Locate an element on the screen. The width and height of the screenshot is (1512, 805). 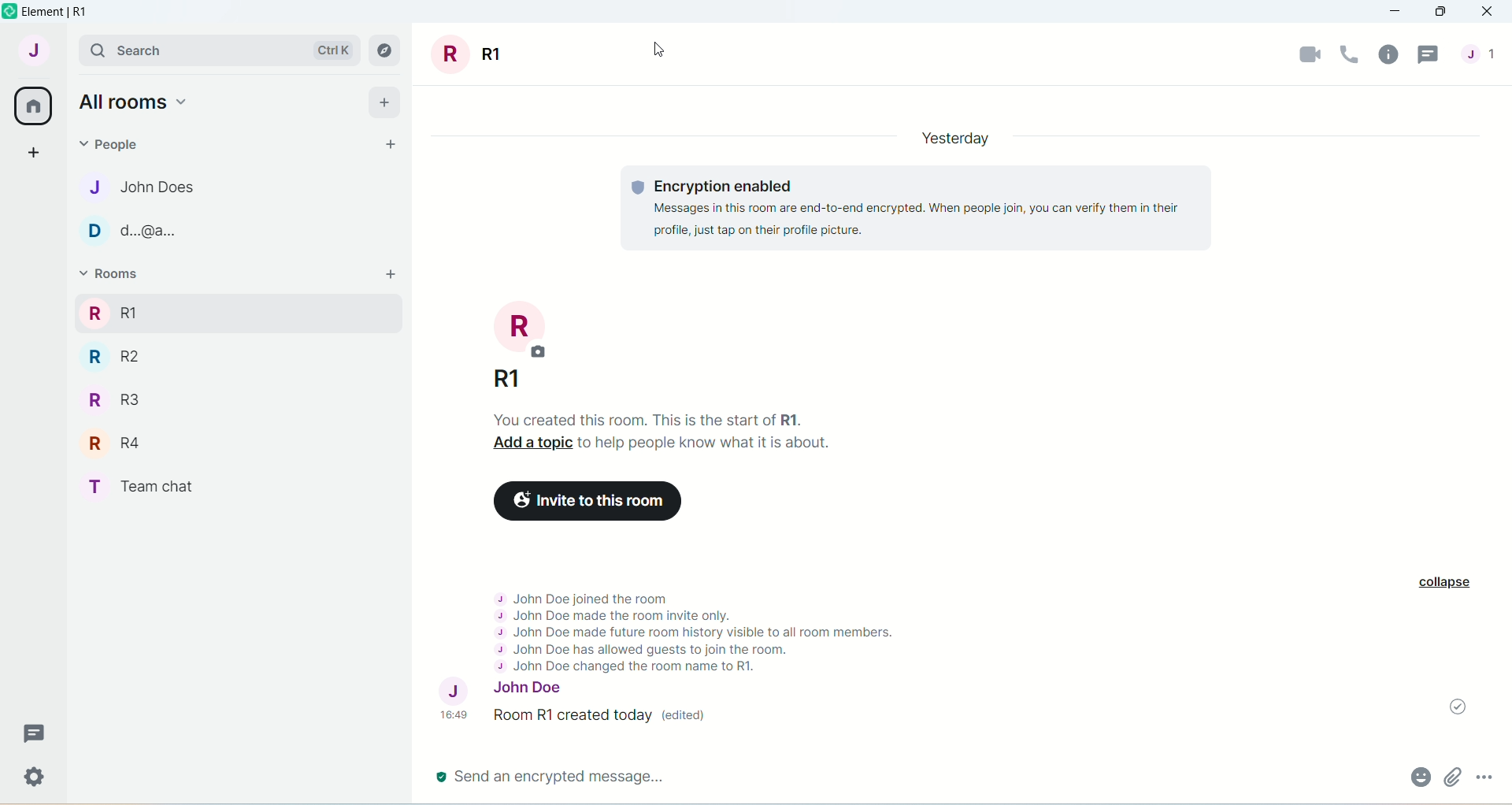
collapse is located at coordinates (1447, 584).